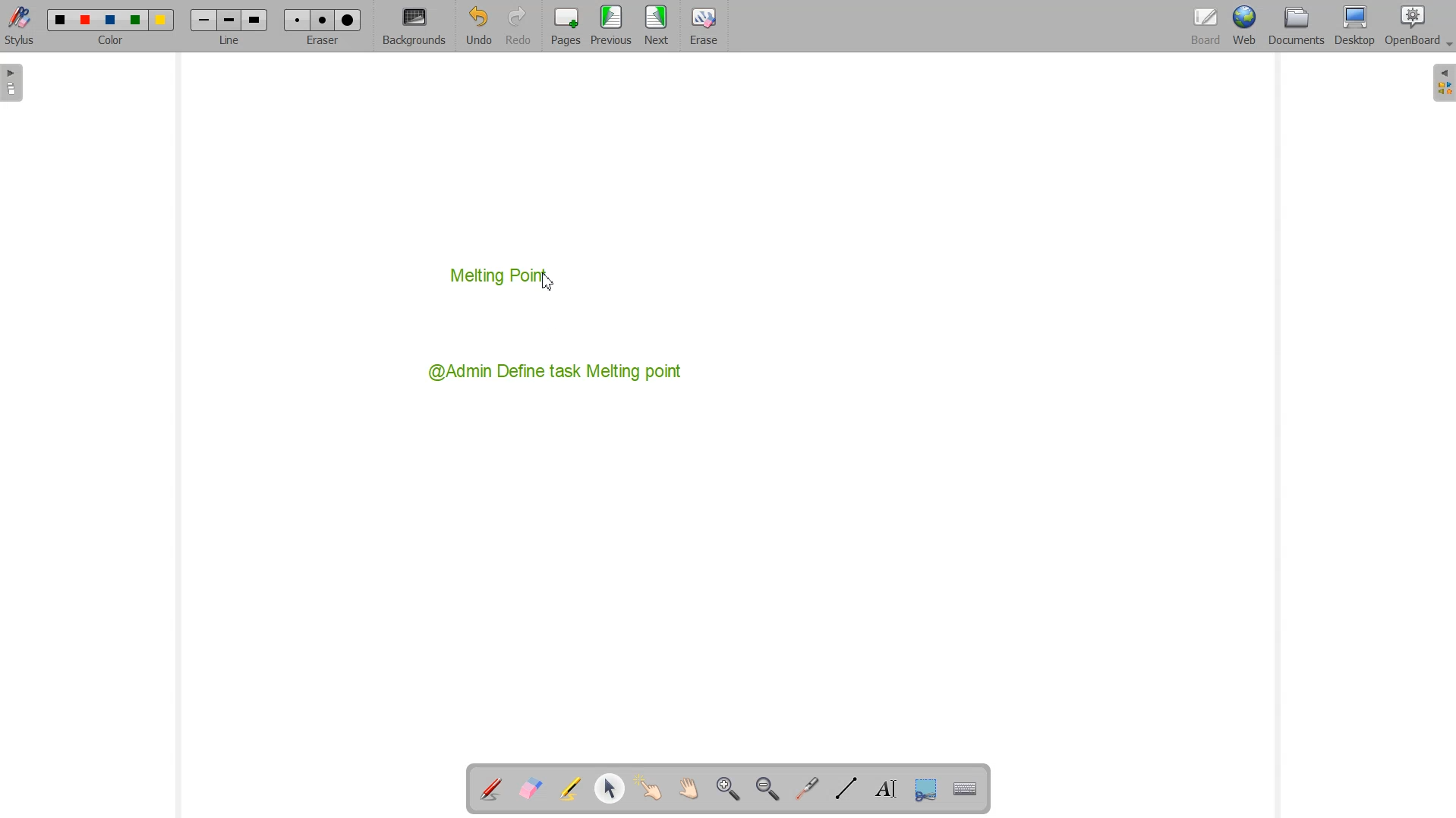 The height and width of the screenshot is (818, 1456). Describe the element at coordinates (963, 787) in the screenshot. I see `Display virtual Keyboard` at that location.